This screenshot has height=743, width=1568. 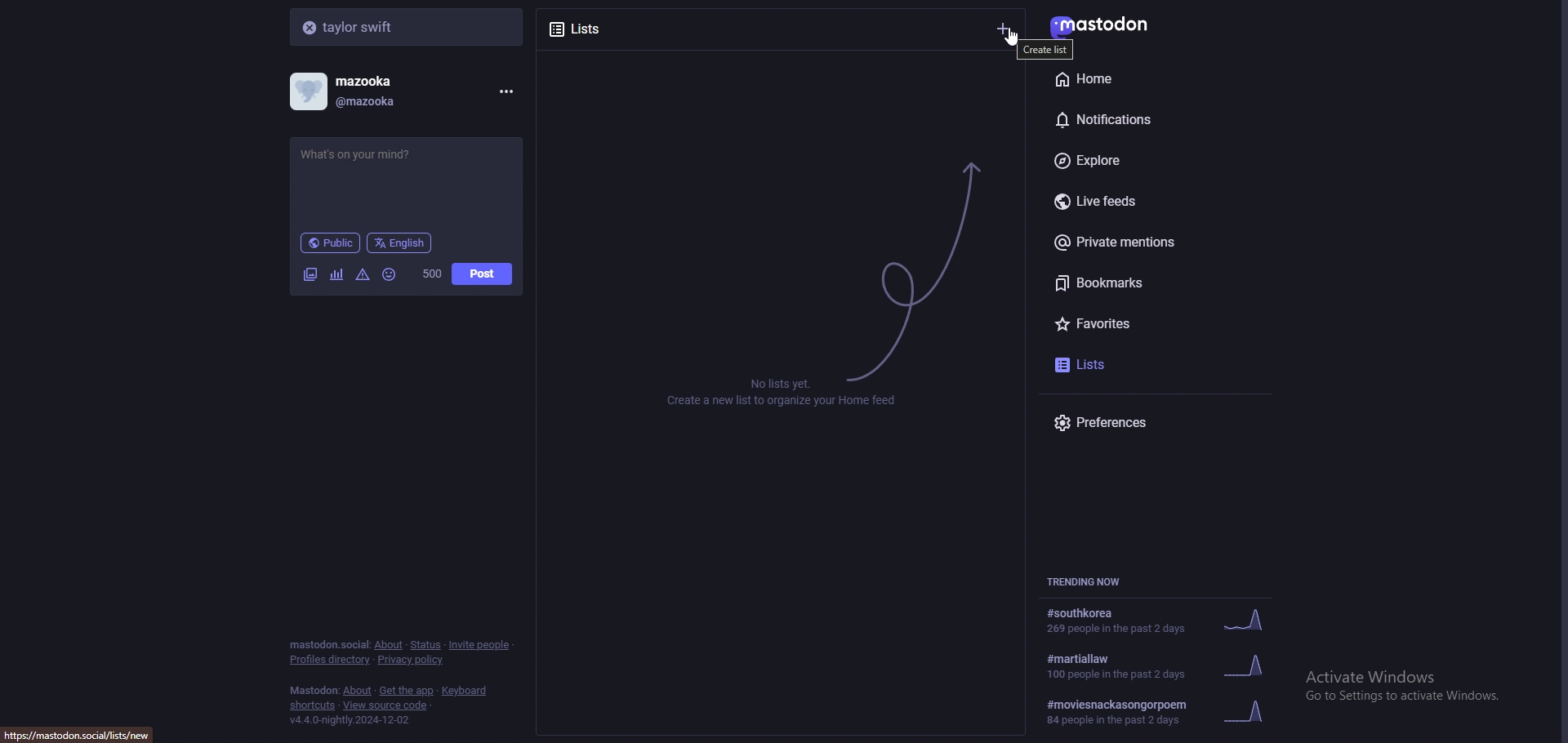 What do you see at coordinates (1153, 242) in the screenshot?
I see `private mentions` at bounding box center [1153, 242].